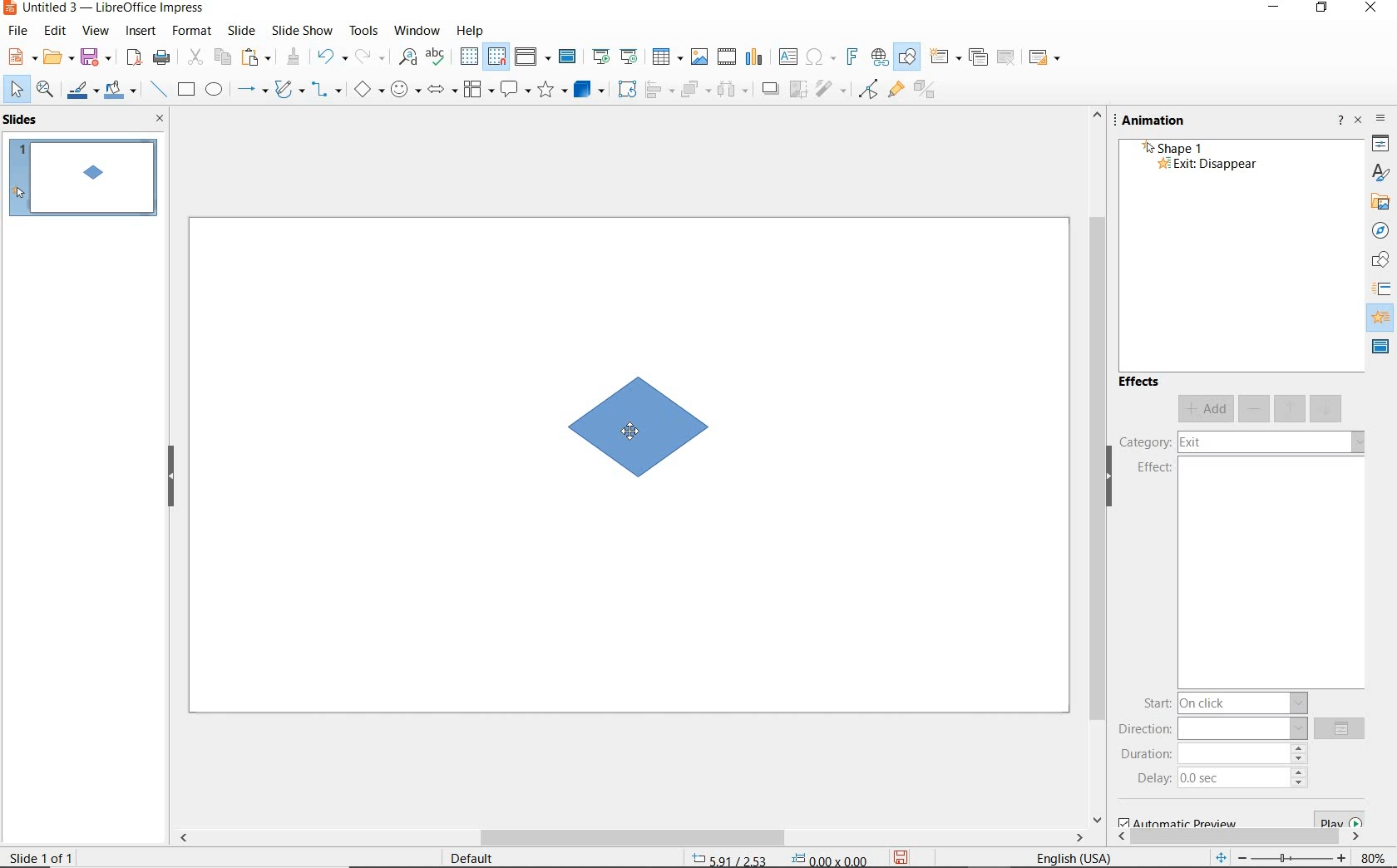 This screenshot has height=868, width=1397. What do you see at coordinates (439, 57) in the screenshot?
I see `spelling` at bounding box center [439, 57].